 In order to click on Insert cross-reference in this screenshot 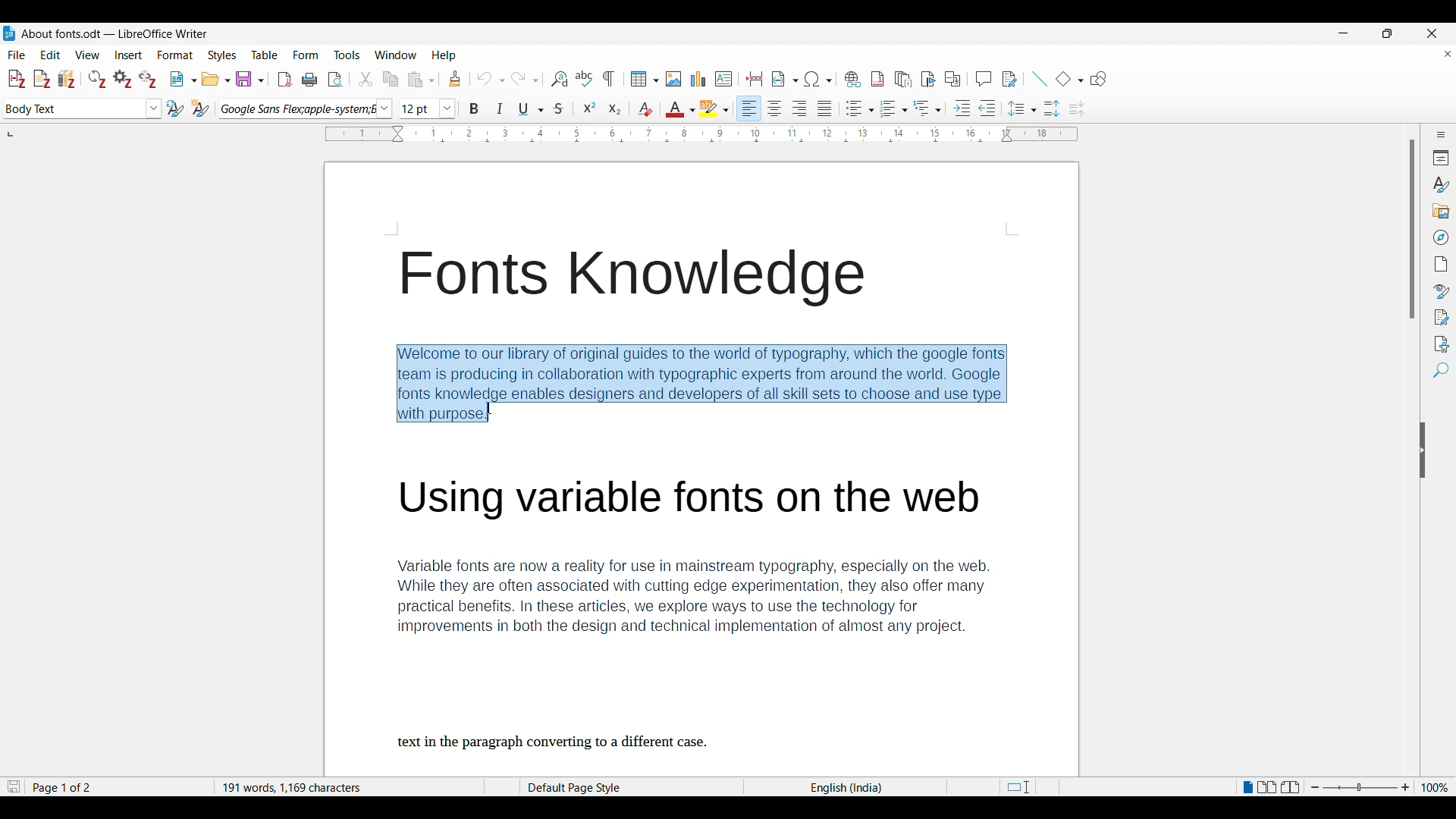, I will do `click(953, 79)`.